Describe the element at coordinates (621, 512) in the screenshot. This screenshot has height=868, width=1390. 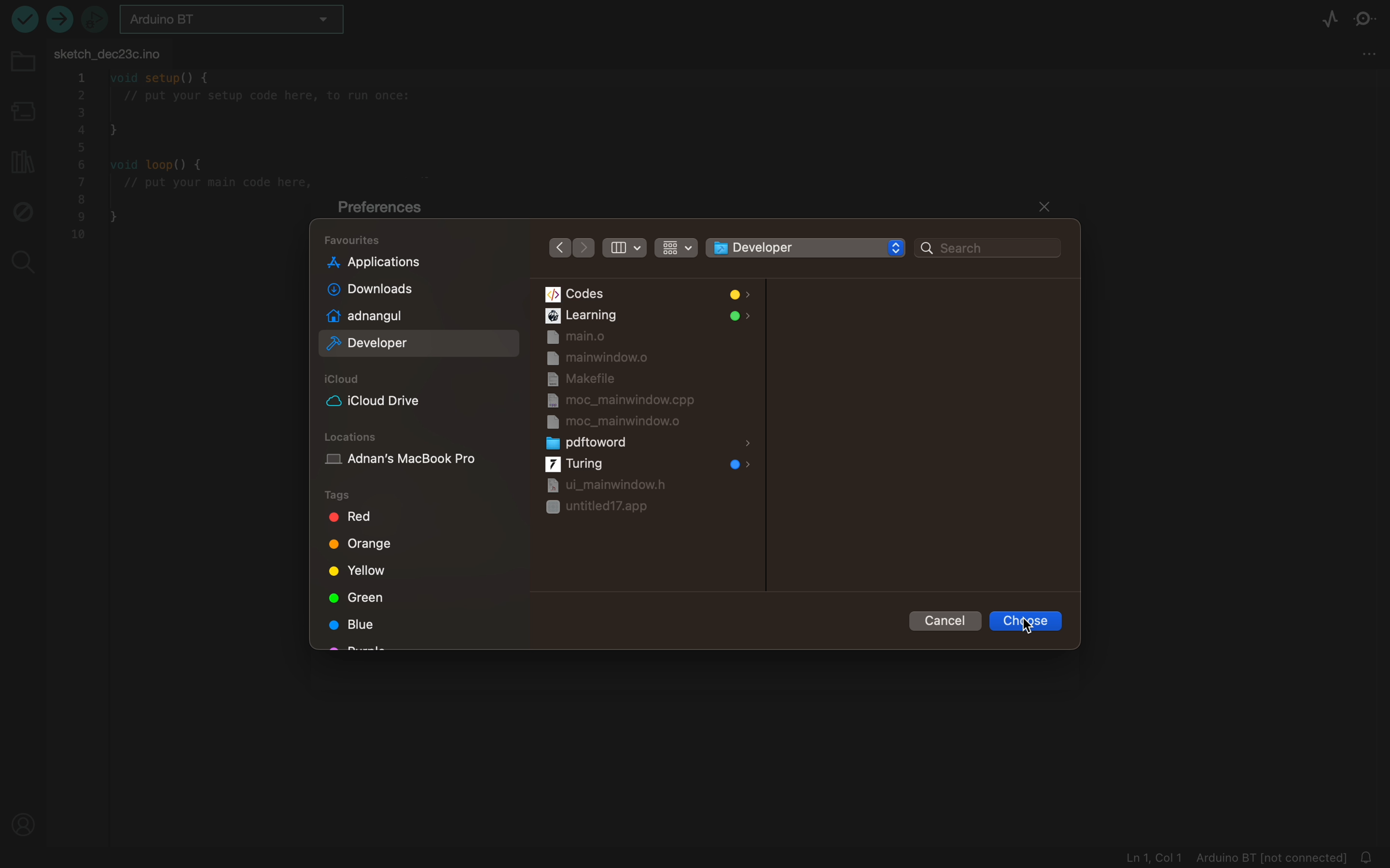
I see `untitled7` at that location.